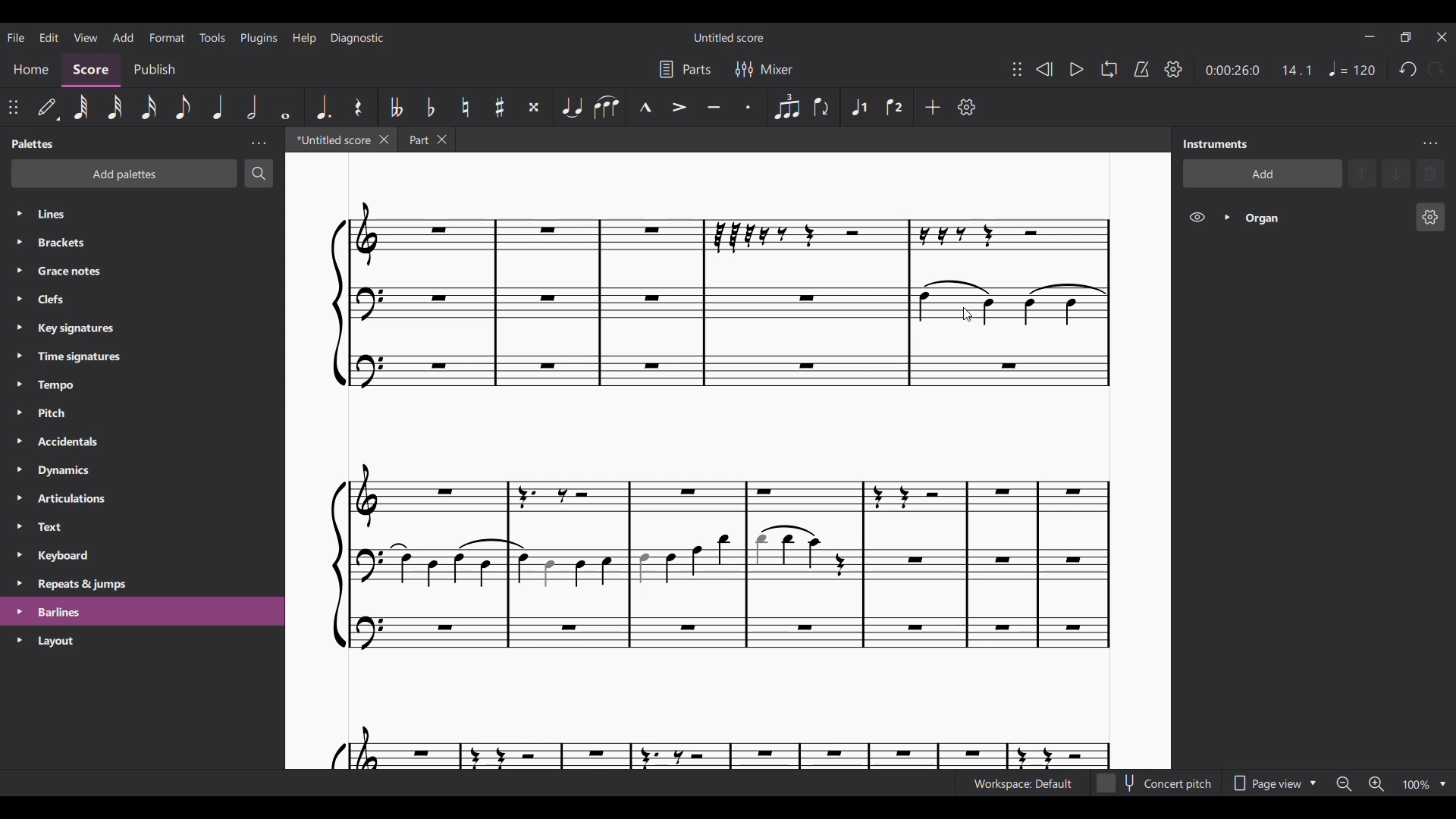  I want to click on Zoom out, so click(1343, 784).